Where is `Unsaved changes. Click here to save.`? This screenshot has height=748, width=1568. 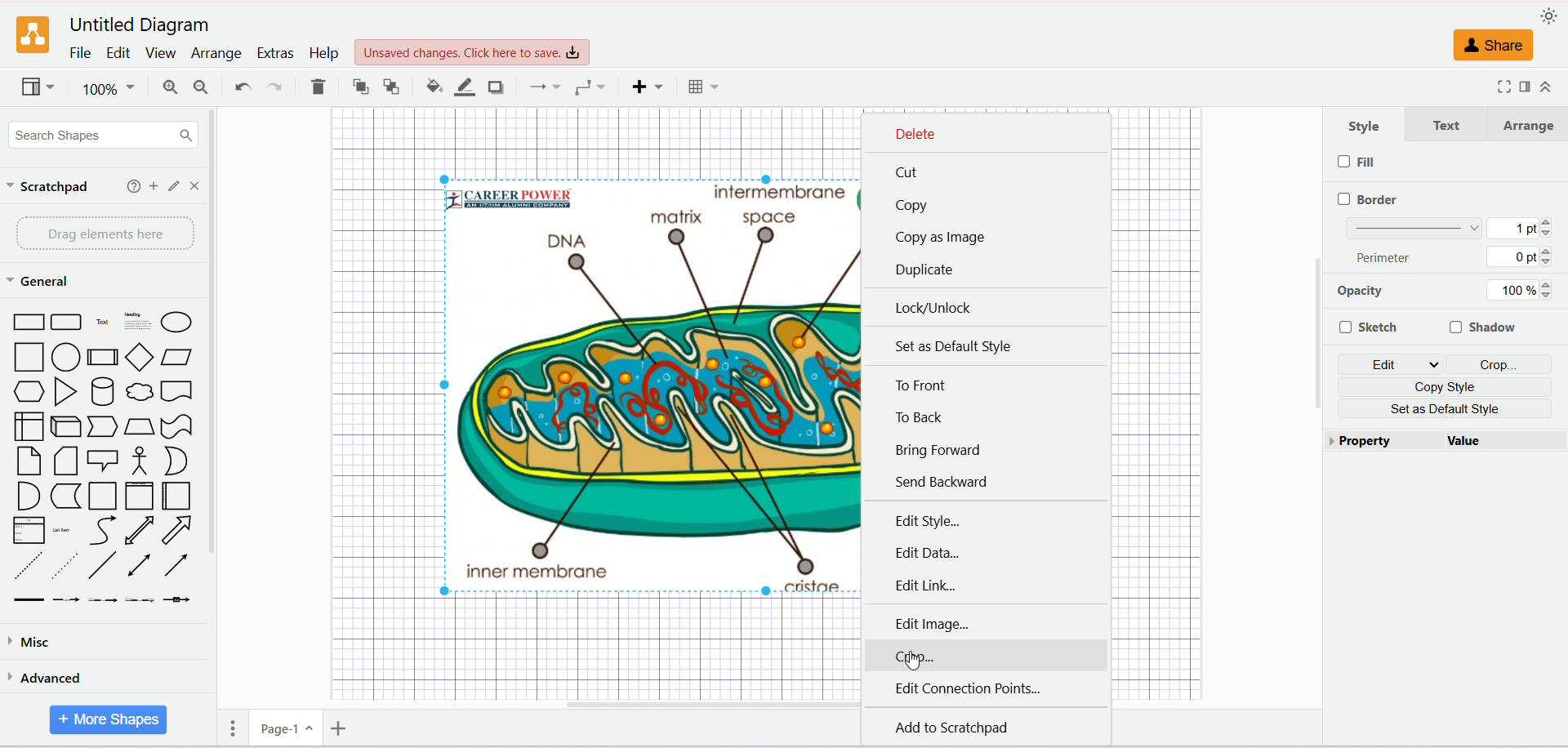
Unsaved changes. Click here to save. is located at coordinates (470, 51).